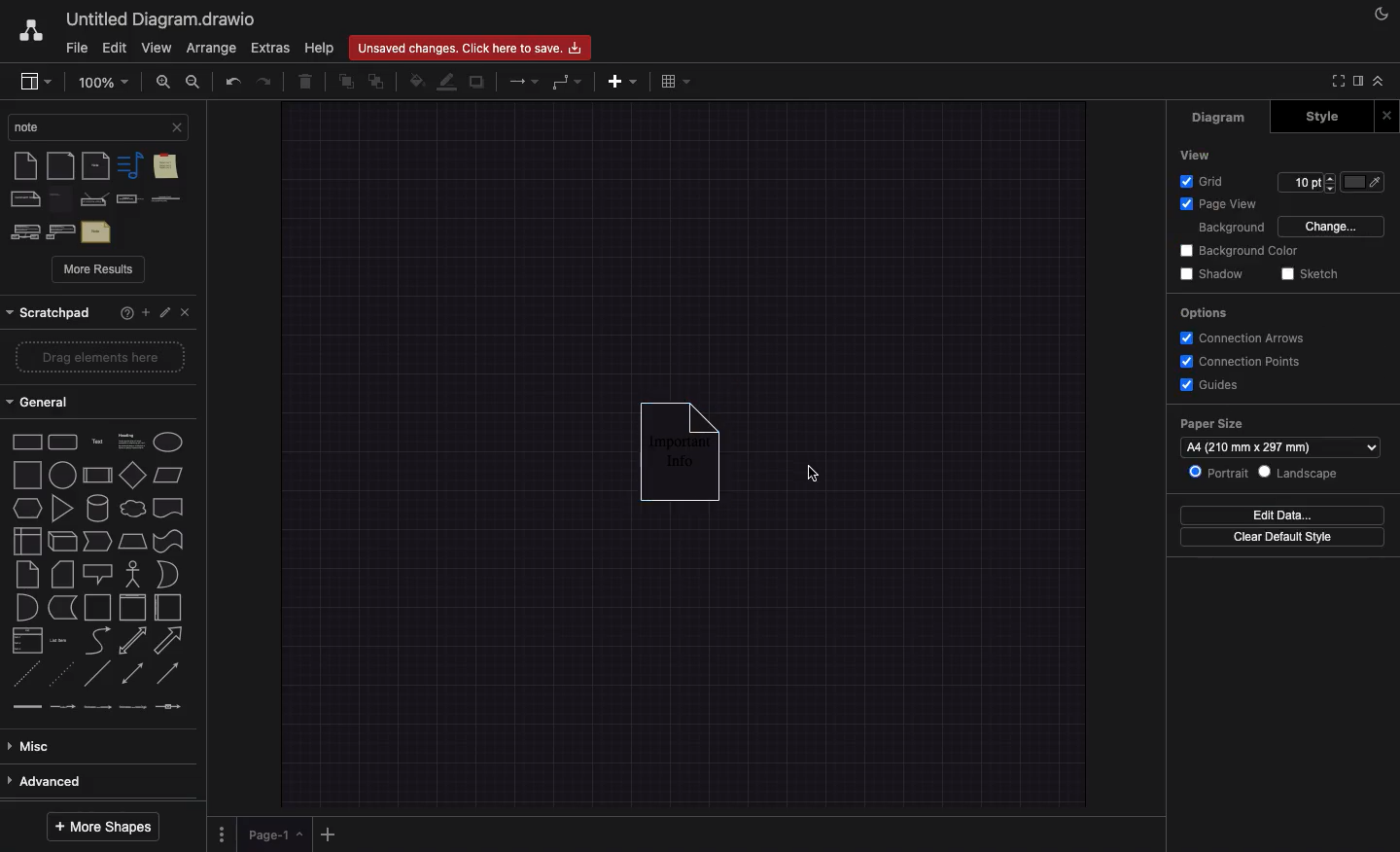  I want to click on Collapse, so click(1382, 83).